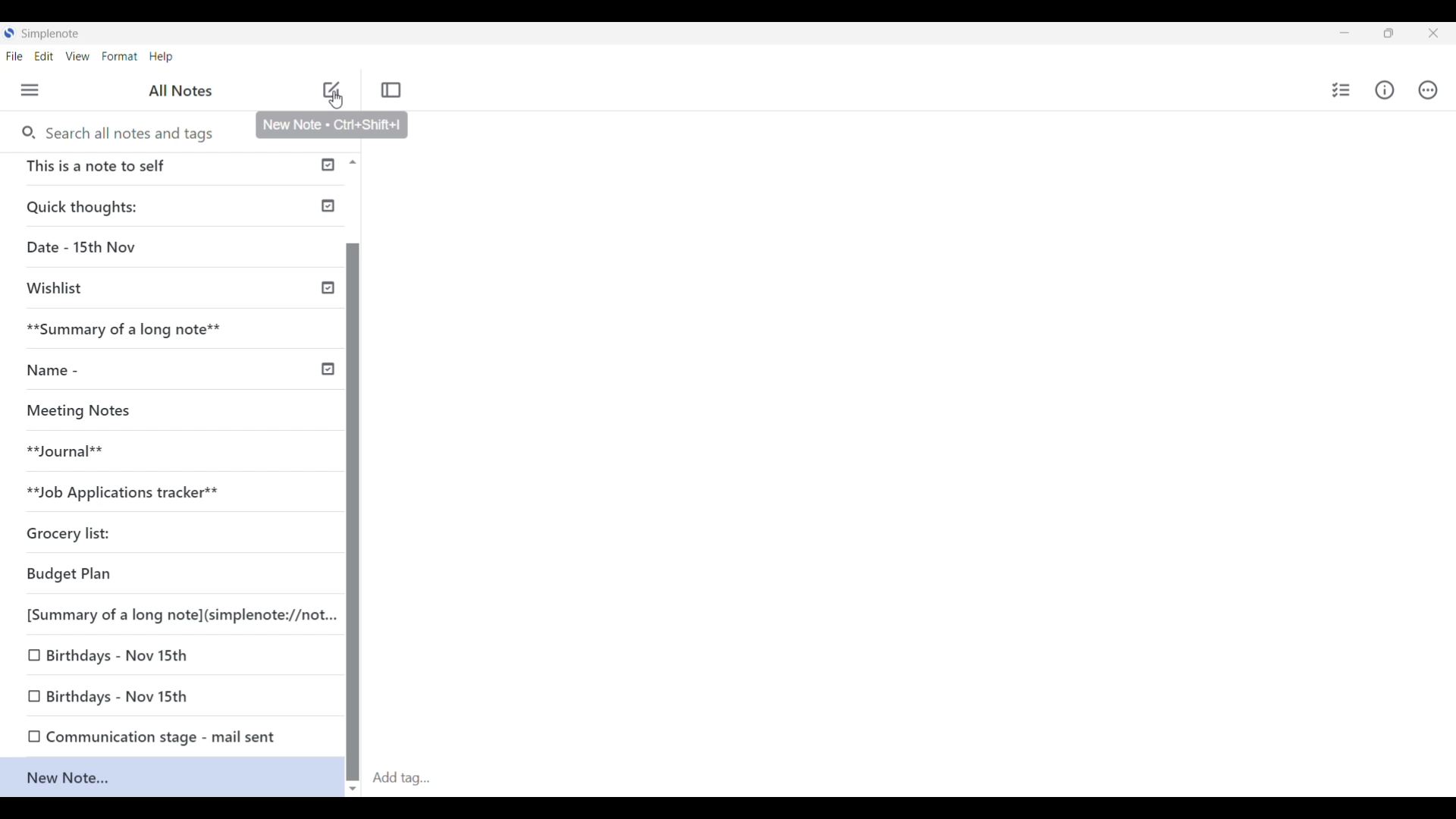  What do you see at coordinates (353, 789) in the screenshot?
I see `Quick slide to bottom` at bounding box center [353, 789].